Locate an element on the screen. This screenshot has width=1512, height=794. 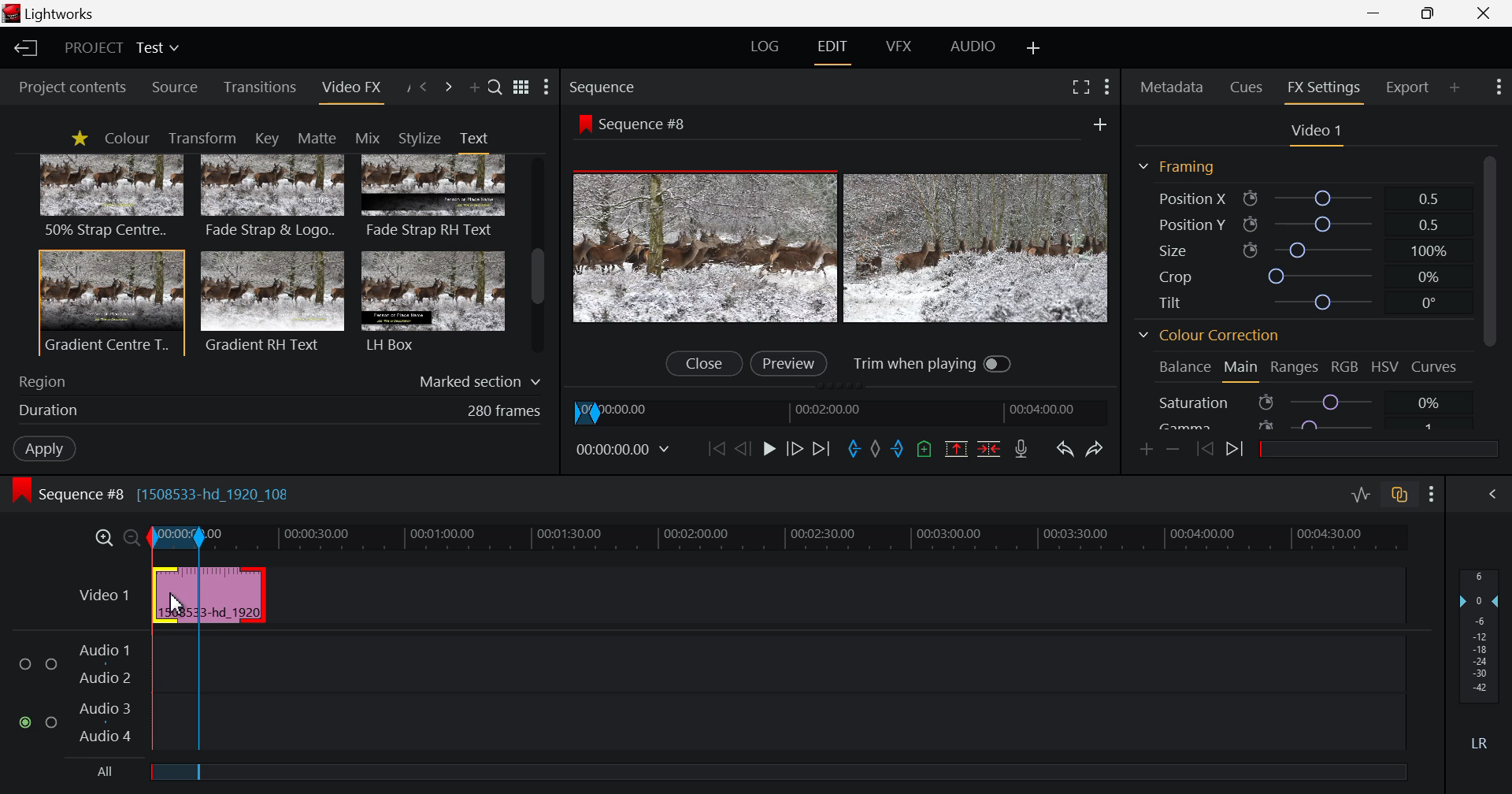
Cues is located at coordinates (1248, 86).